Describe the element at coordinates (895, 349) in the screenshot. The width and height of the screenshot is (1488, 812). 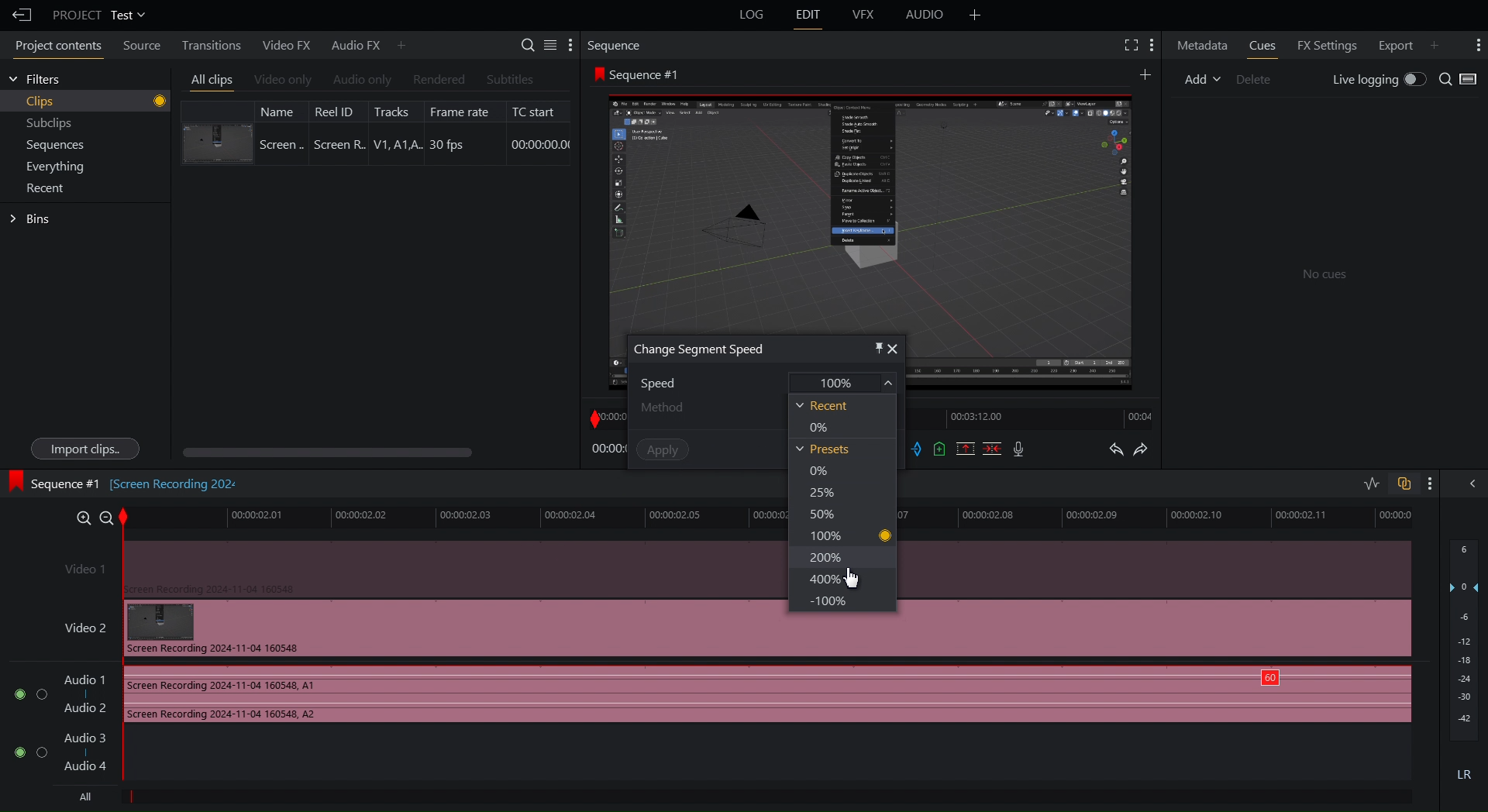
I see `Close` at that location.